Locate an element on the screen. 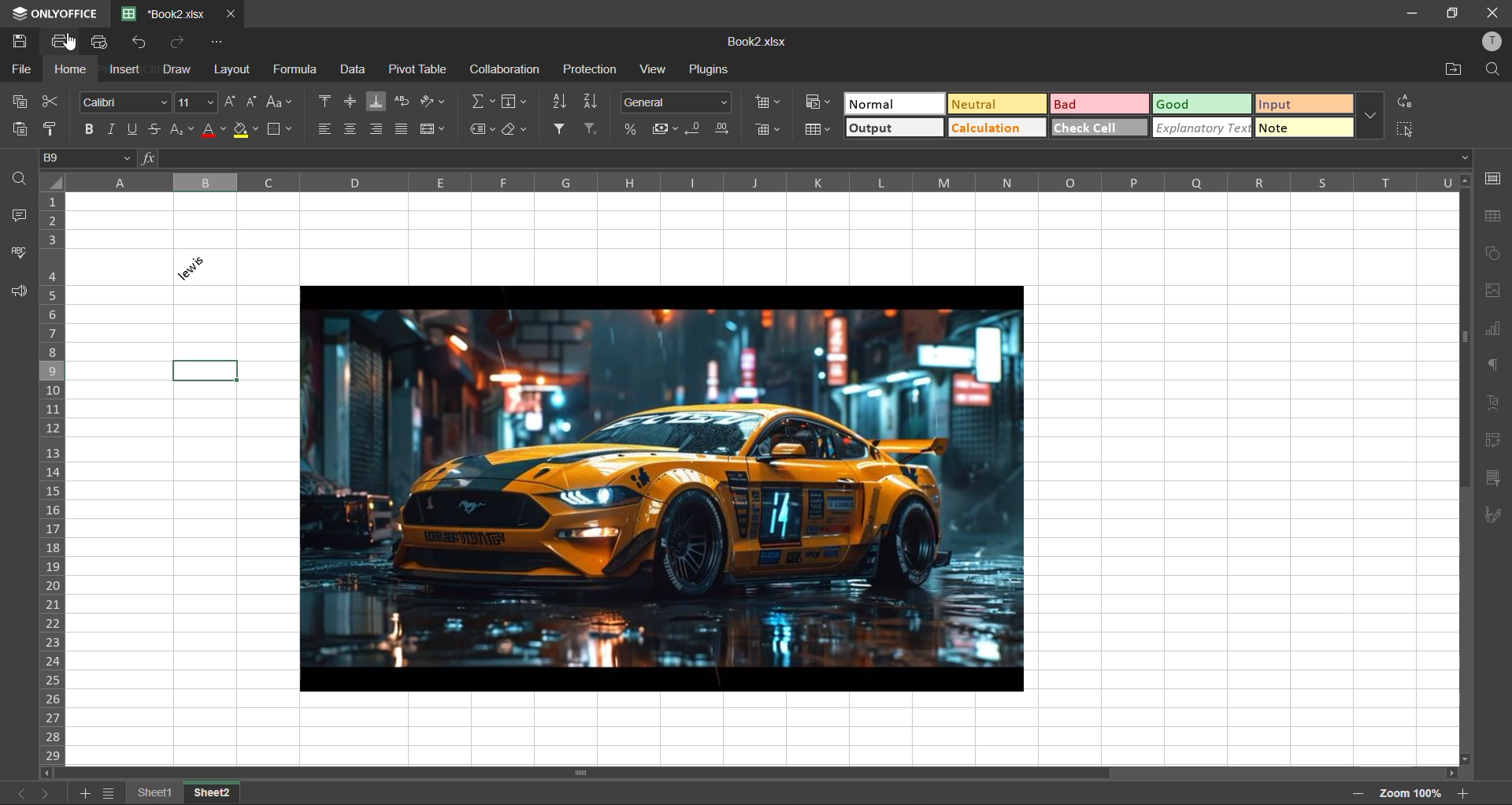 The image size is (1512, 805). sheet list is located at coordinates (109, 795).